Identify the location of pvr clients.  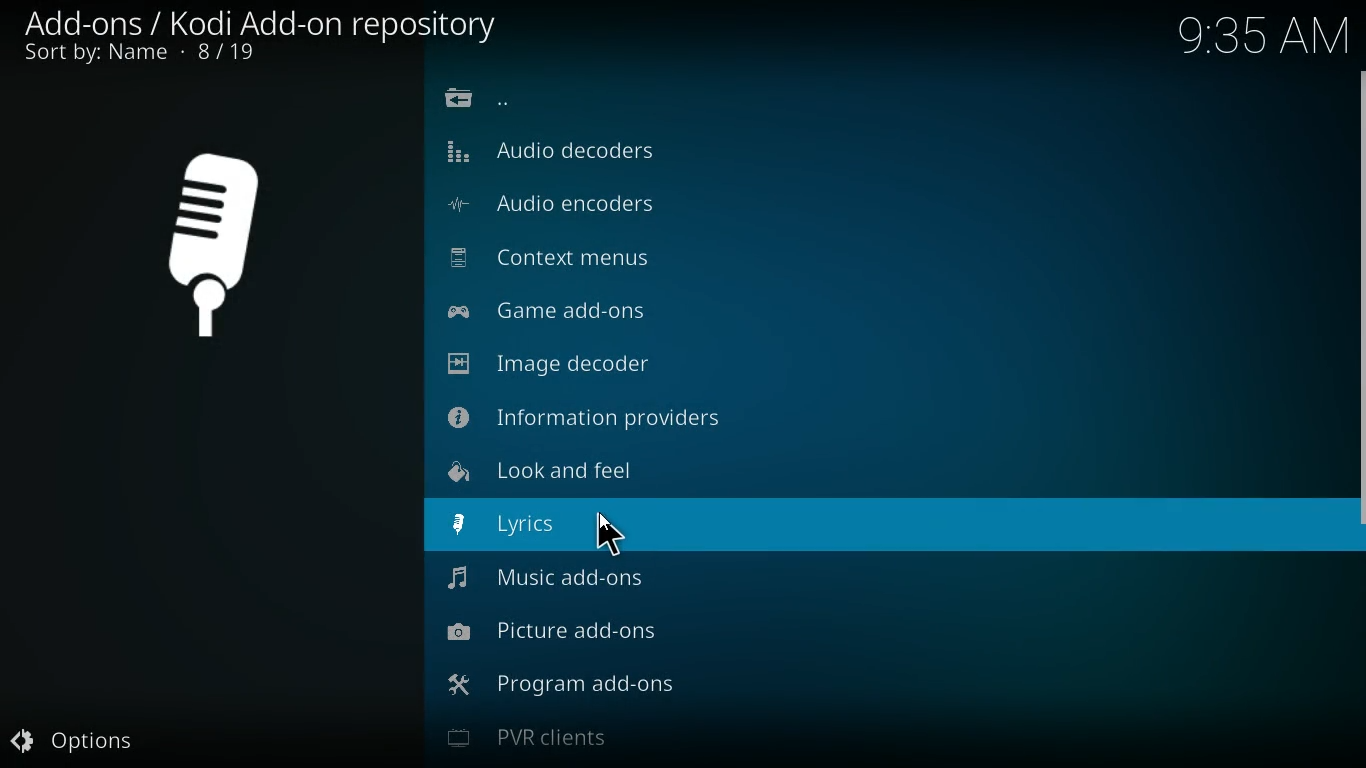
(602, 743).